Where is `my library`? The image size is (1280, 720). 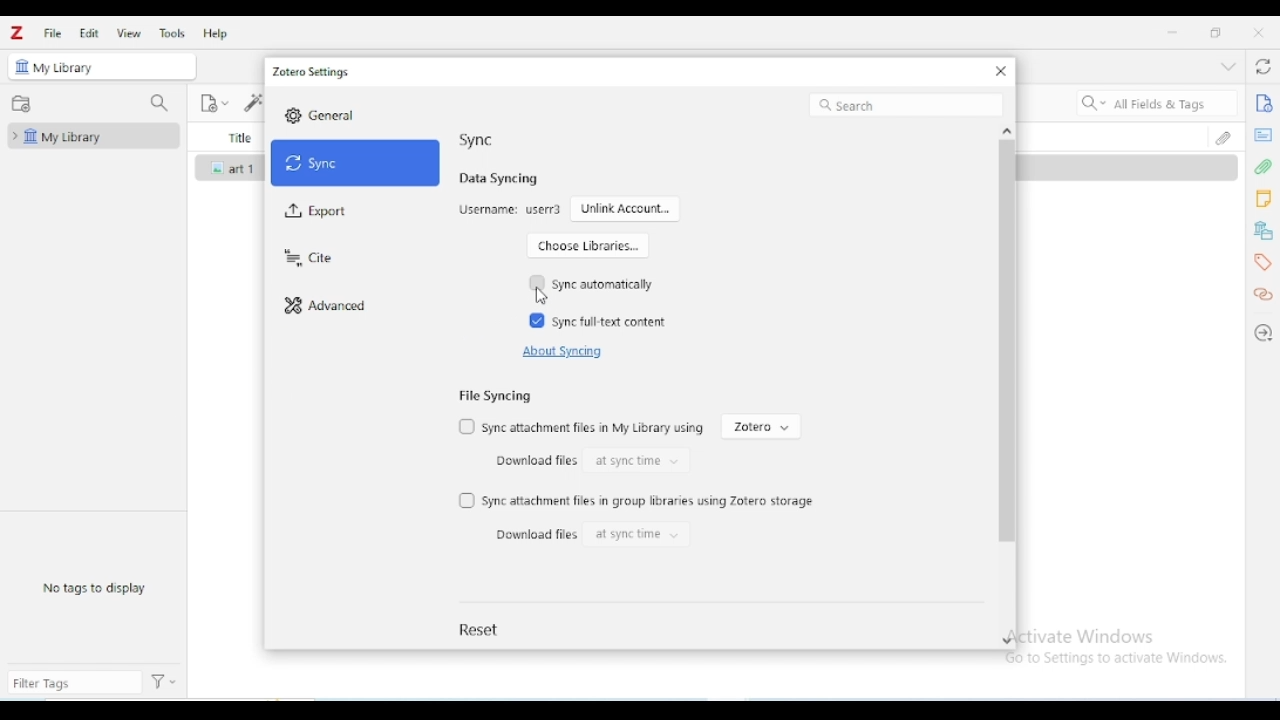
my library is located at coordinates (91, 136).